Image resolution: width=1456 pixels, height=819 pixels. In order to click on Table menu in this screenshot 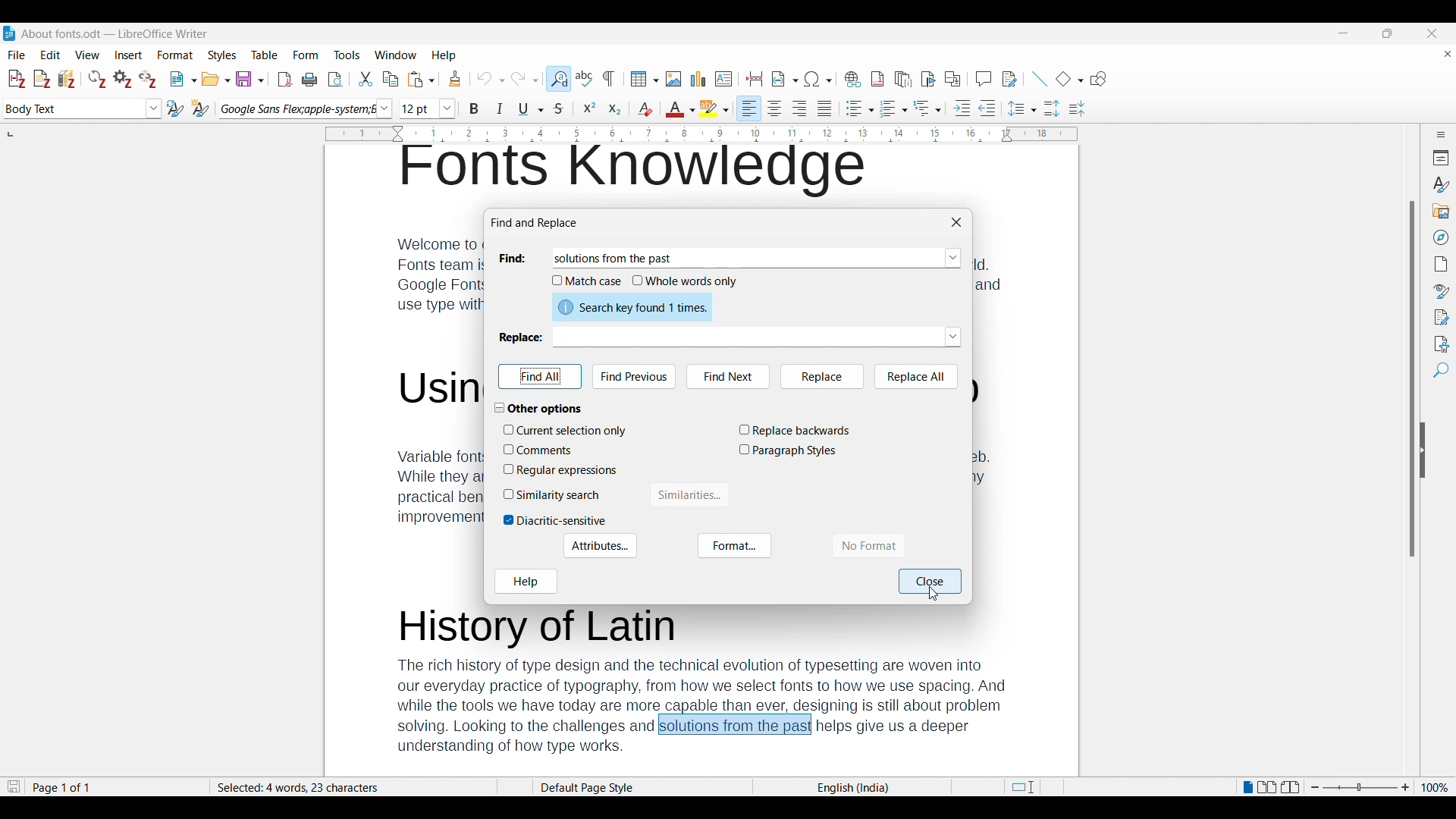, I will do `click(265, 55)`.